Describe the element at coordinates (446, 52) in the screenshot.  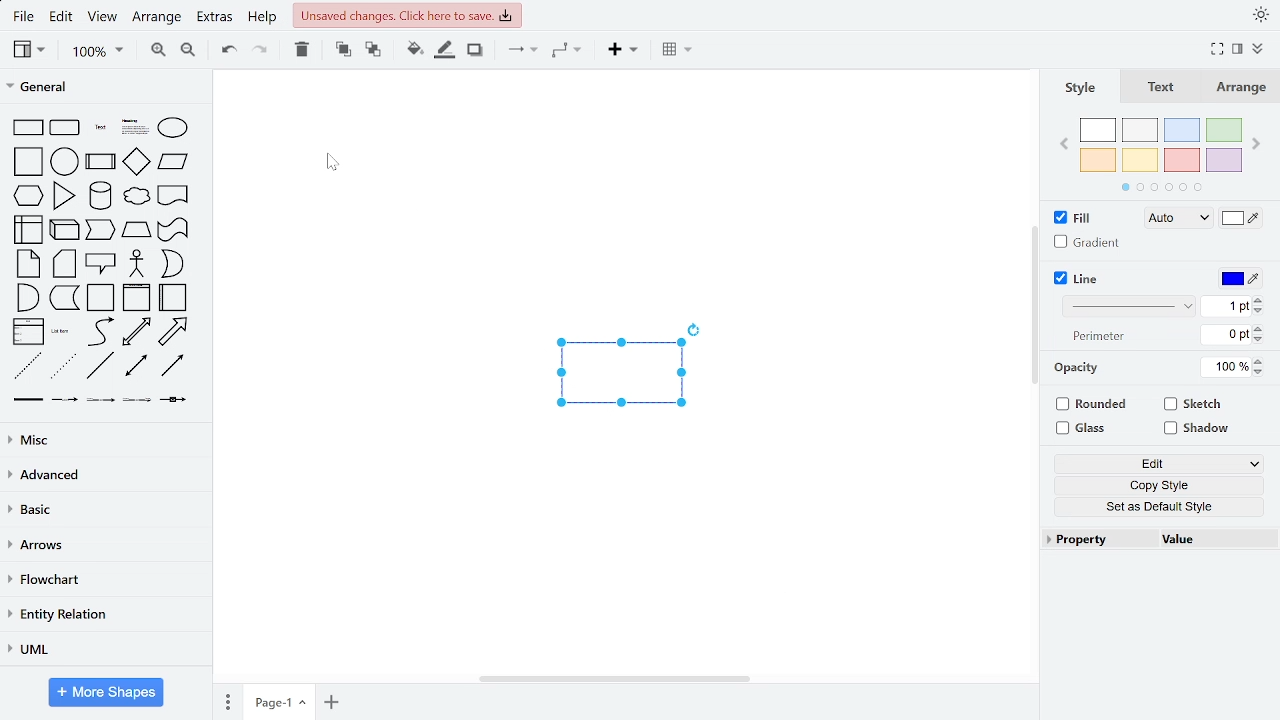
I see `fill line` at that location.